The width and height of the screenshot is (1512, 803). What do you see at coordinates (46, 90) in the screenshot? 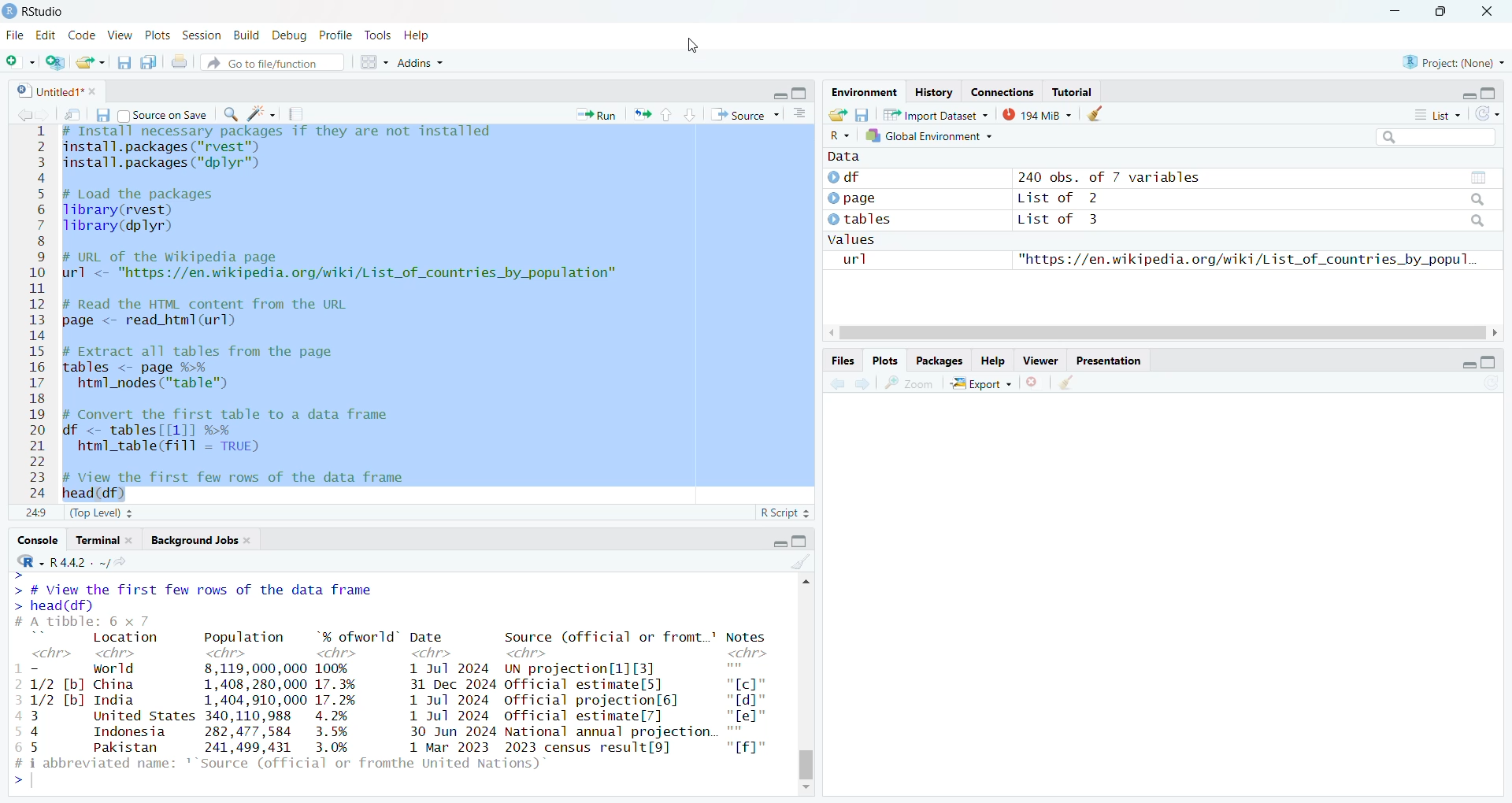
I see `Untitled file` at bounding box center [46, 90].